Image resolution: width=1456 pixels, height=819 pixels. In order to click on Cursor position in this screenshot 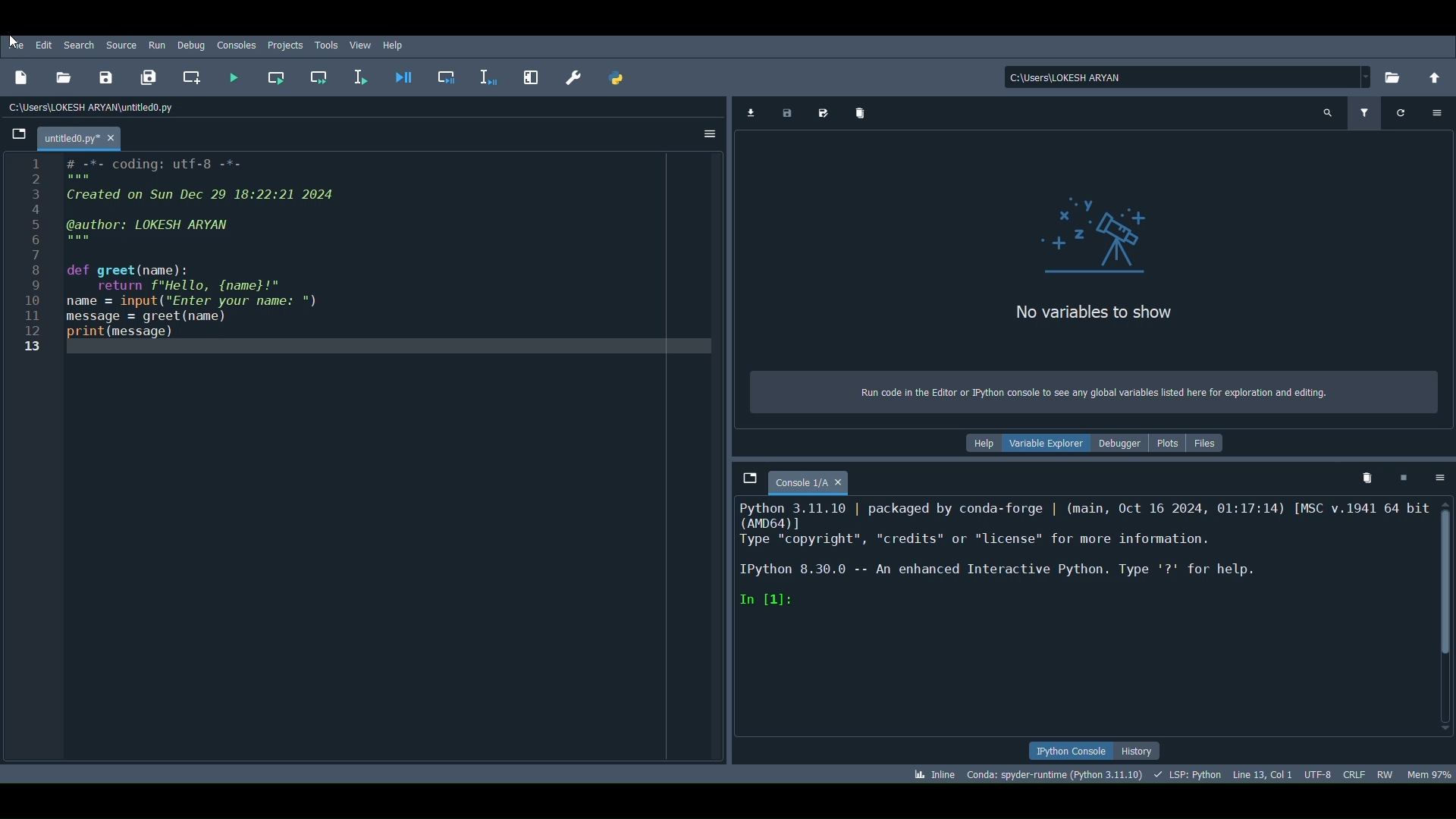, I will do `click(1264, 774)`.